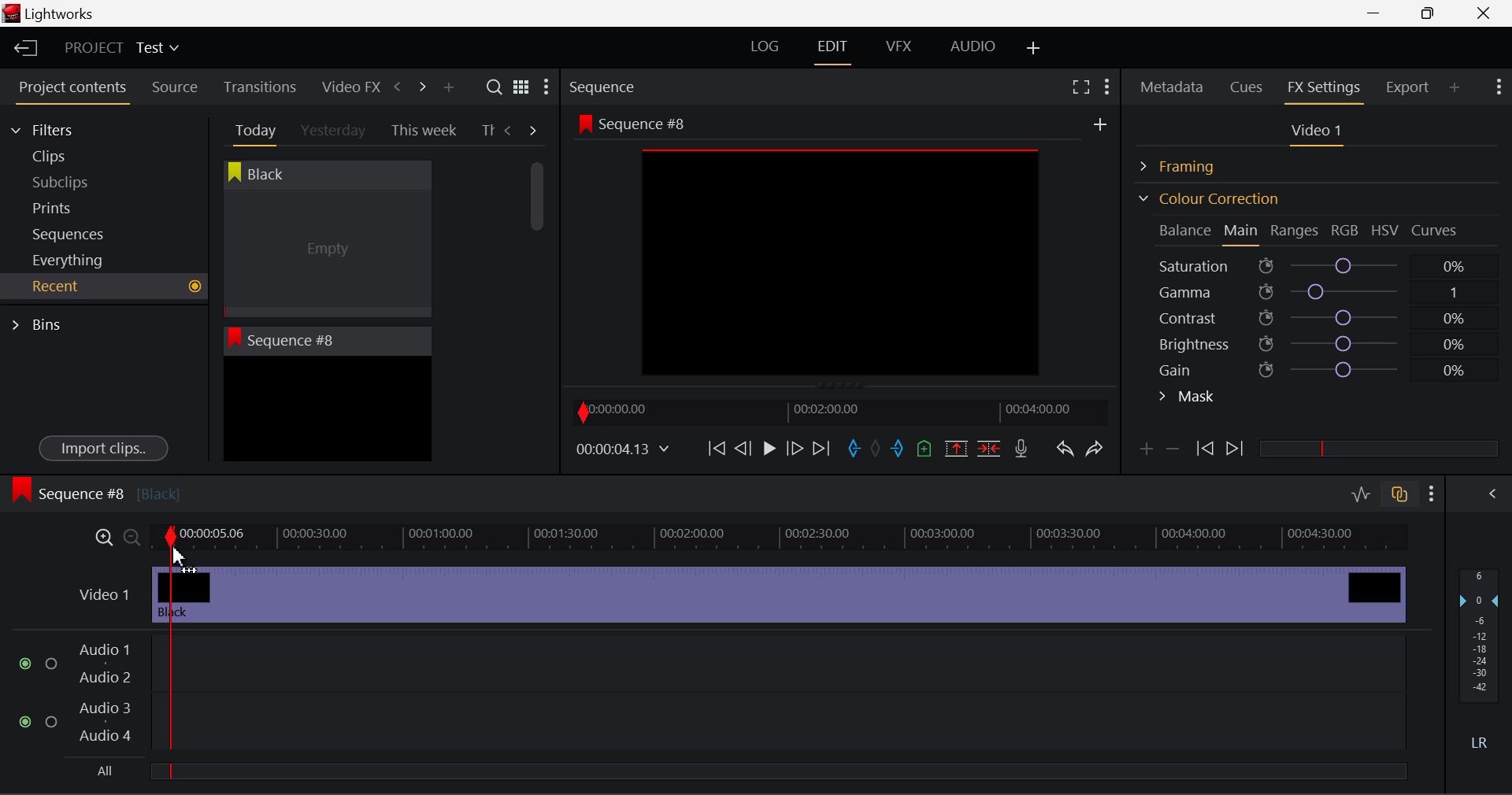  I want to click on Video FX, so click(346, 87).